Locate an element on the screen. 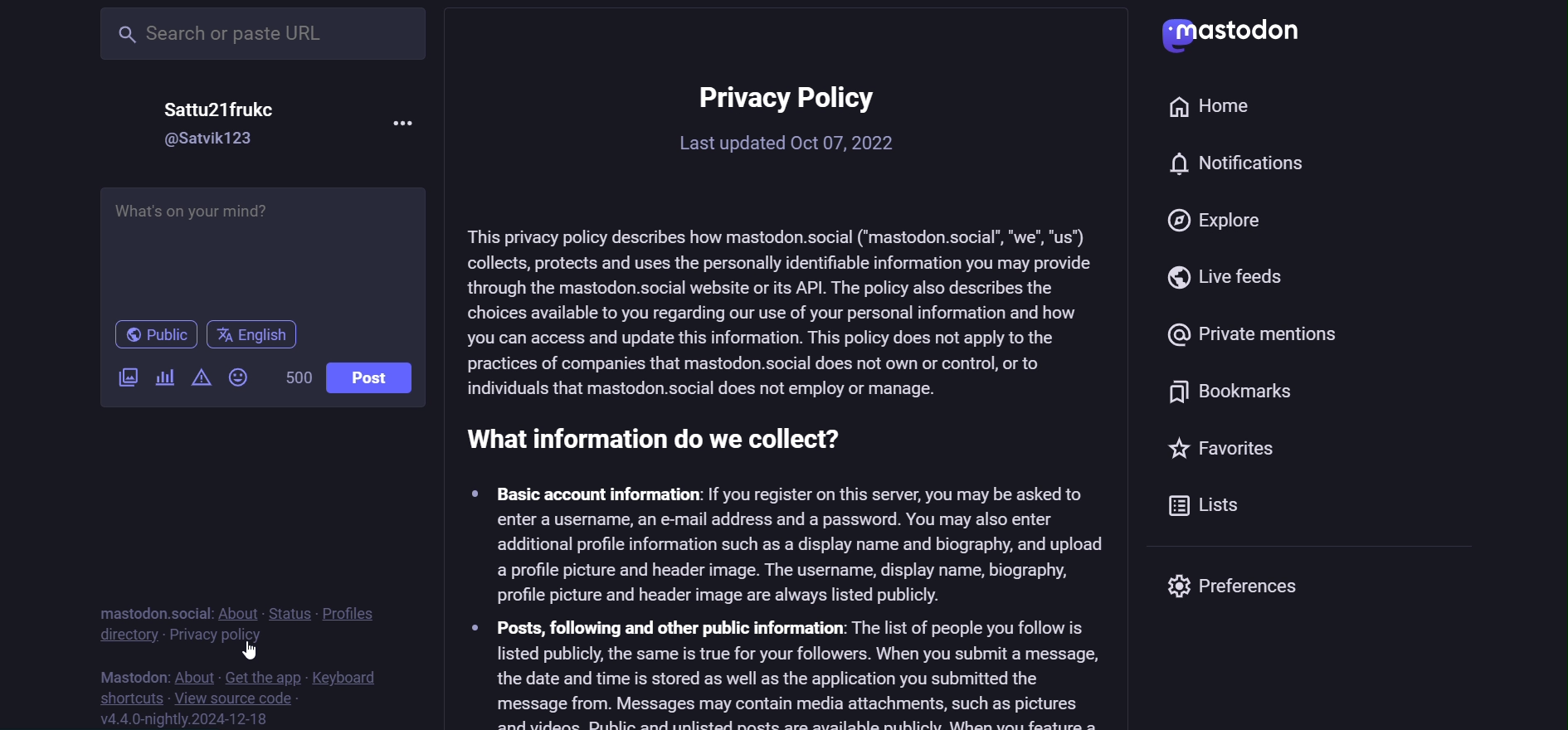 The width and height of the screenshot is (1568, 730). version is located at coordinates (188, 718).